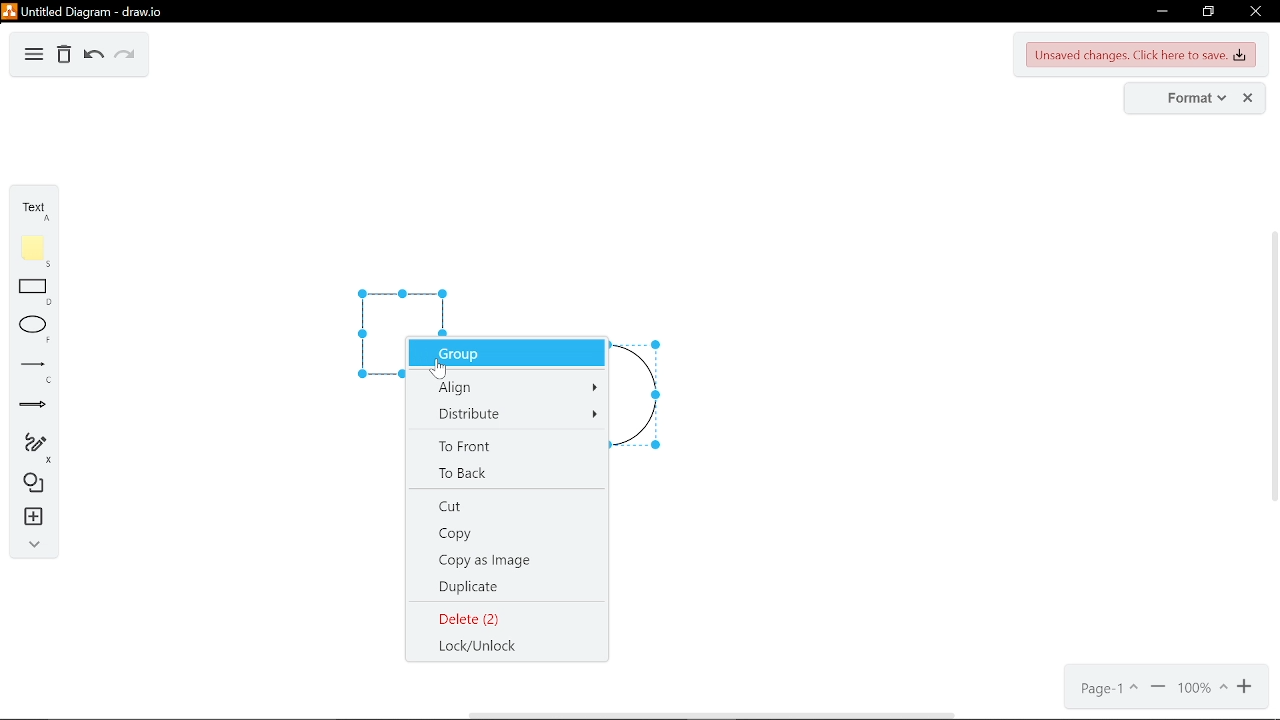  What do you see at coordinates (126, 55) in the screenshot?
I see `redo` at bounding box center [126, 55].